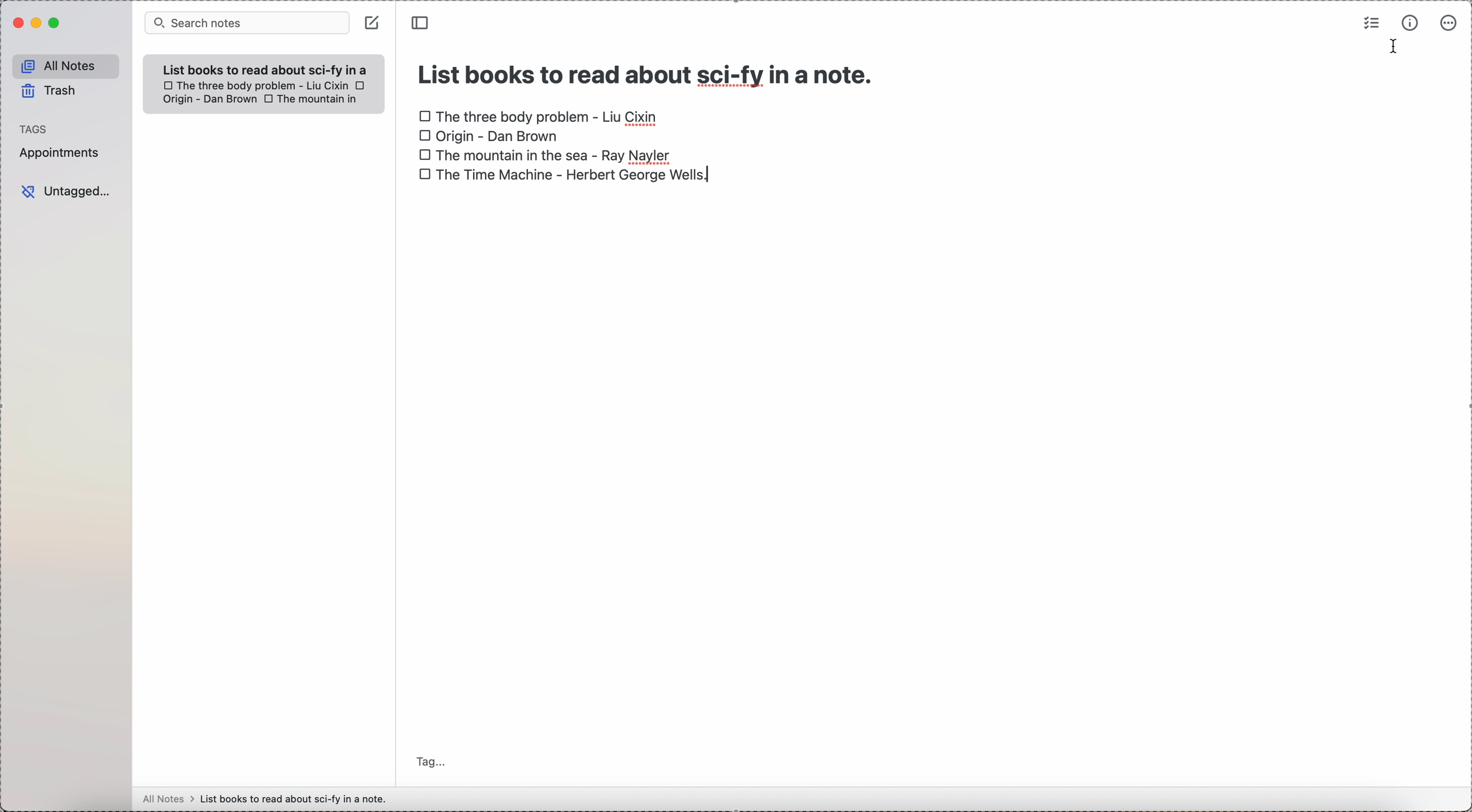  I want to click on checkbox The Three body problem - Liu Cixin book, so click(539, 114).